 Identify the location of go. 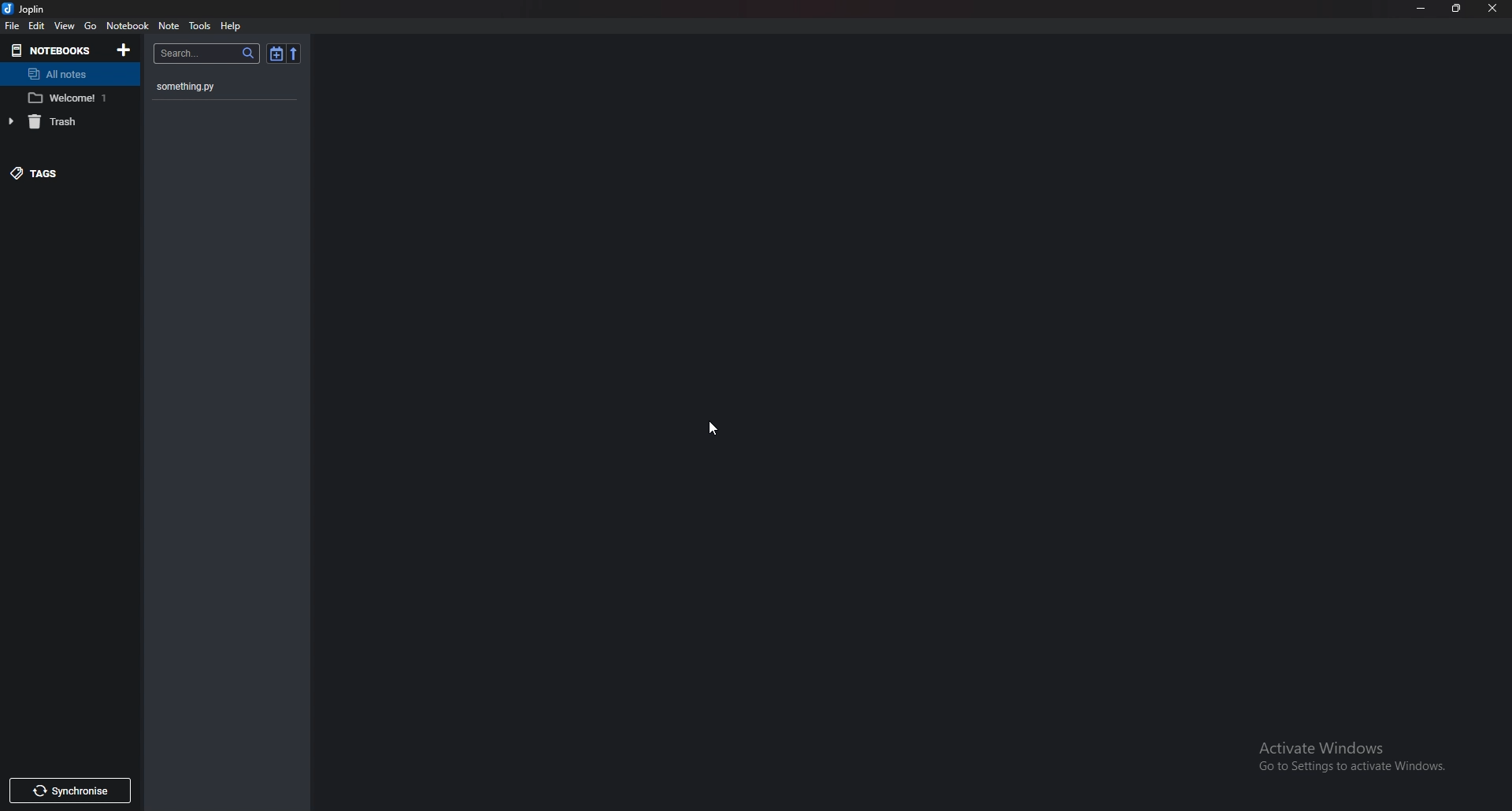
(91, 25).